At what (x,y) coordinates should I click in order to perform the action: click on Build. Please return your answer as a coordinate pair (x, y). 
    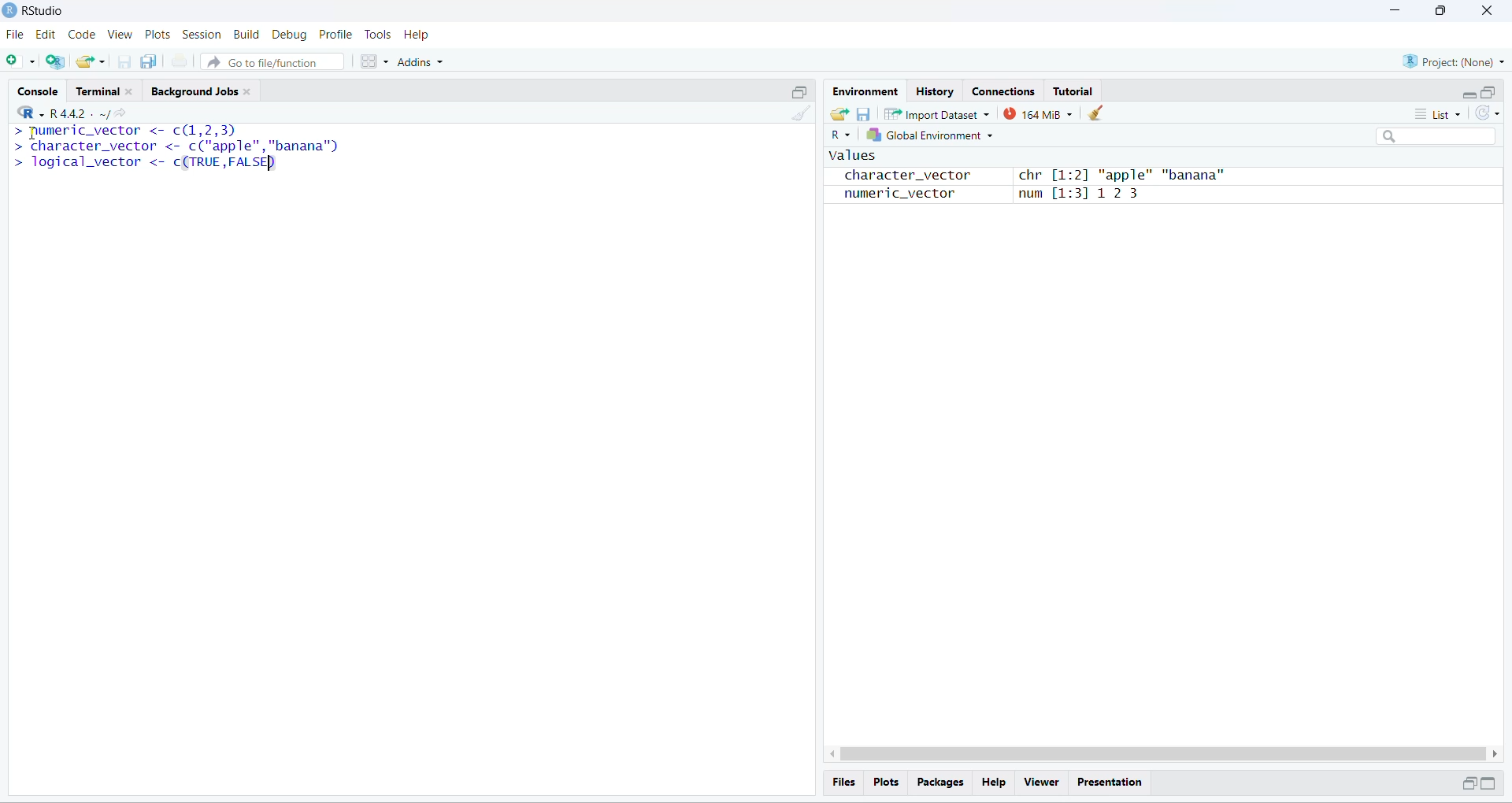
    Looking at the image, I should click on (246, 34).